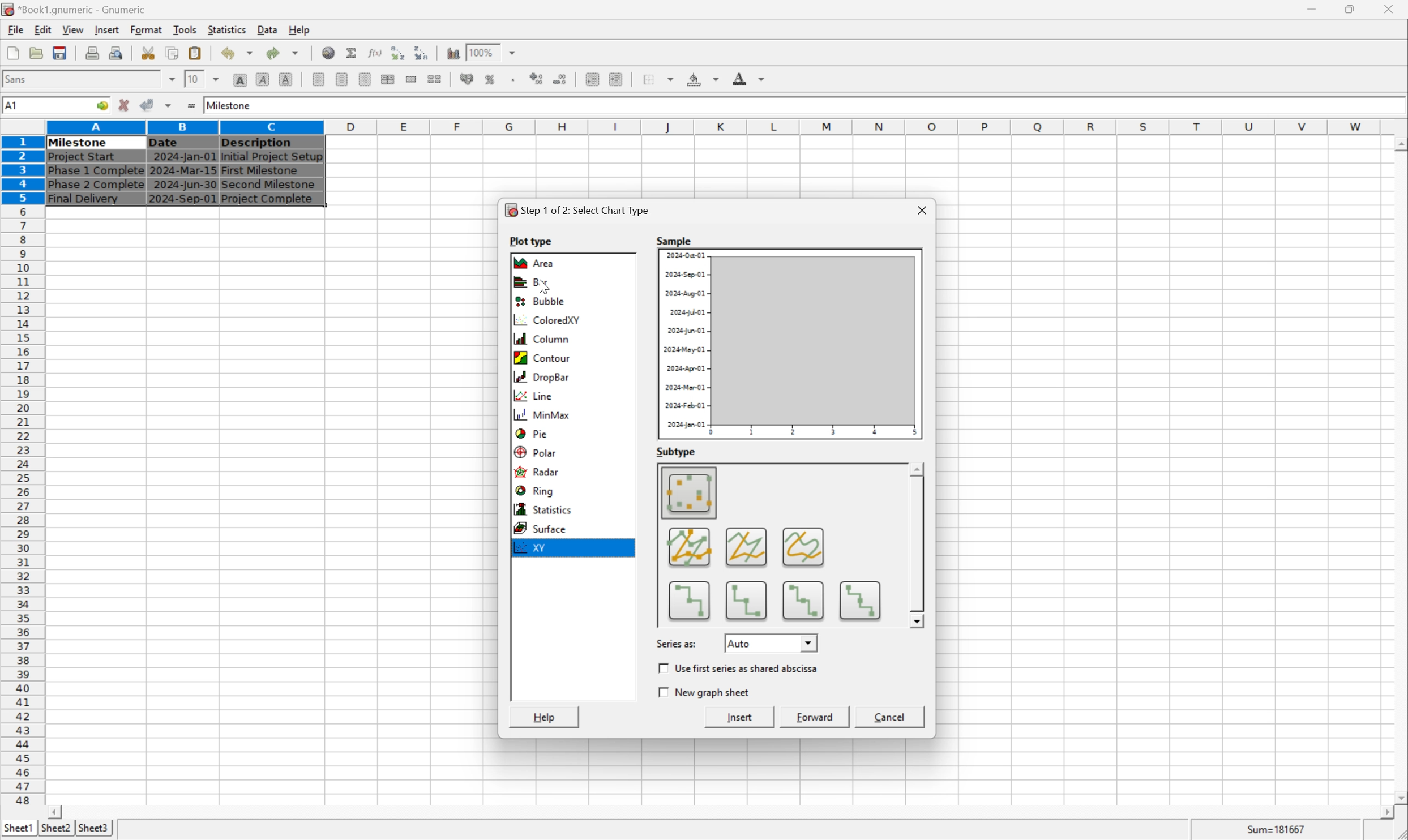 The width and height of the screenshot is (1408, 840). I want to click on bold, so click(239, 80).